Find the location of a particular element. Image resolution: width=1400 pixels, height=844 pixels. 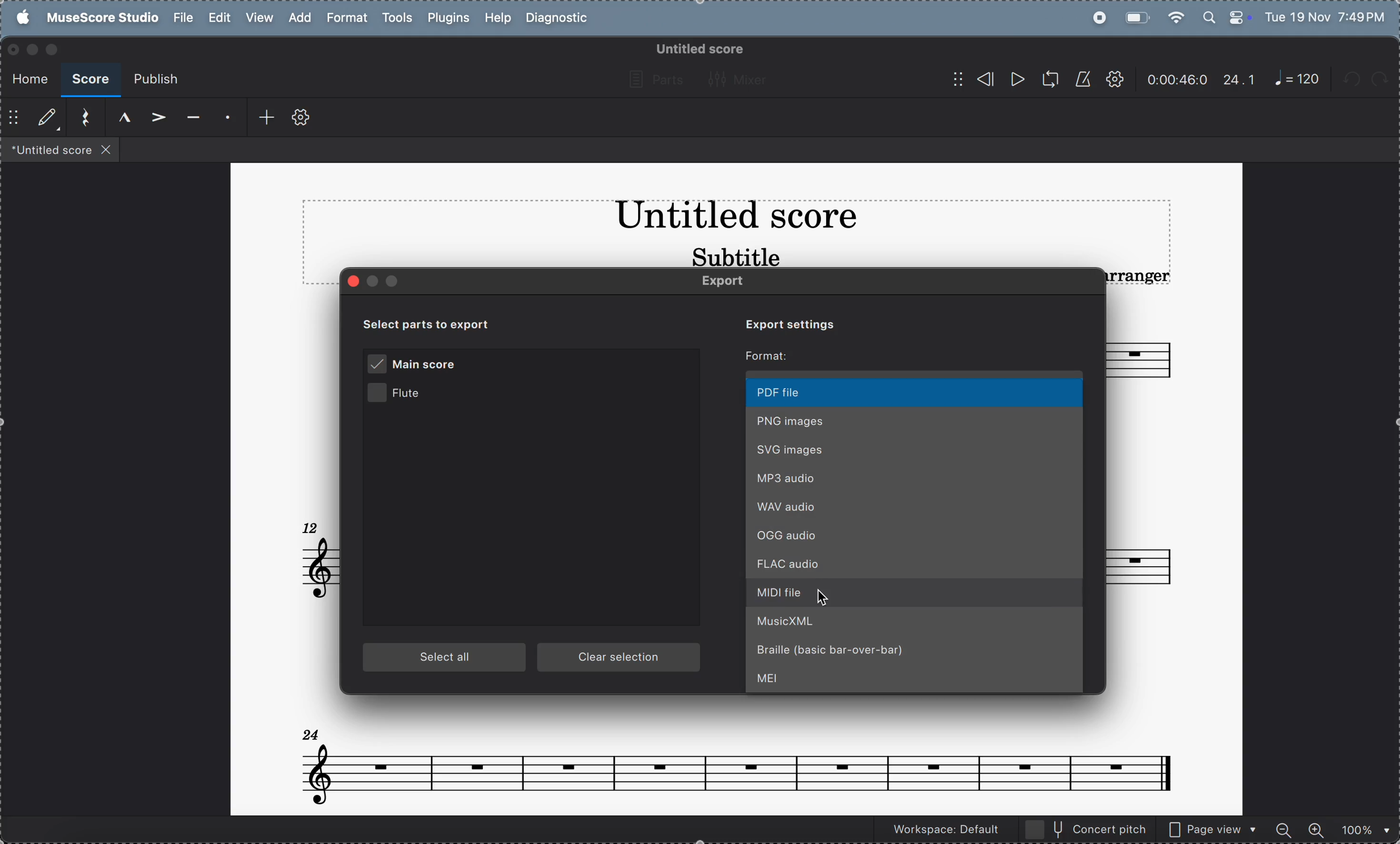

MIDI file is located at coordinates (915, 594).